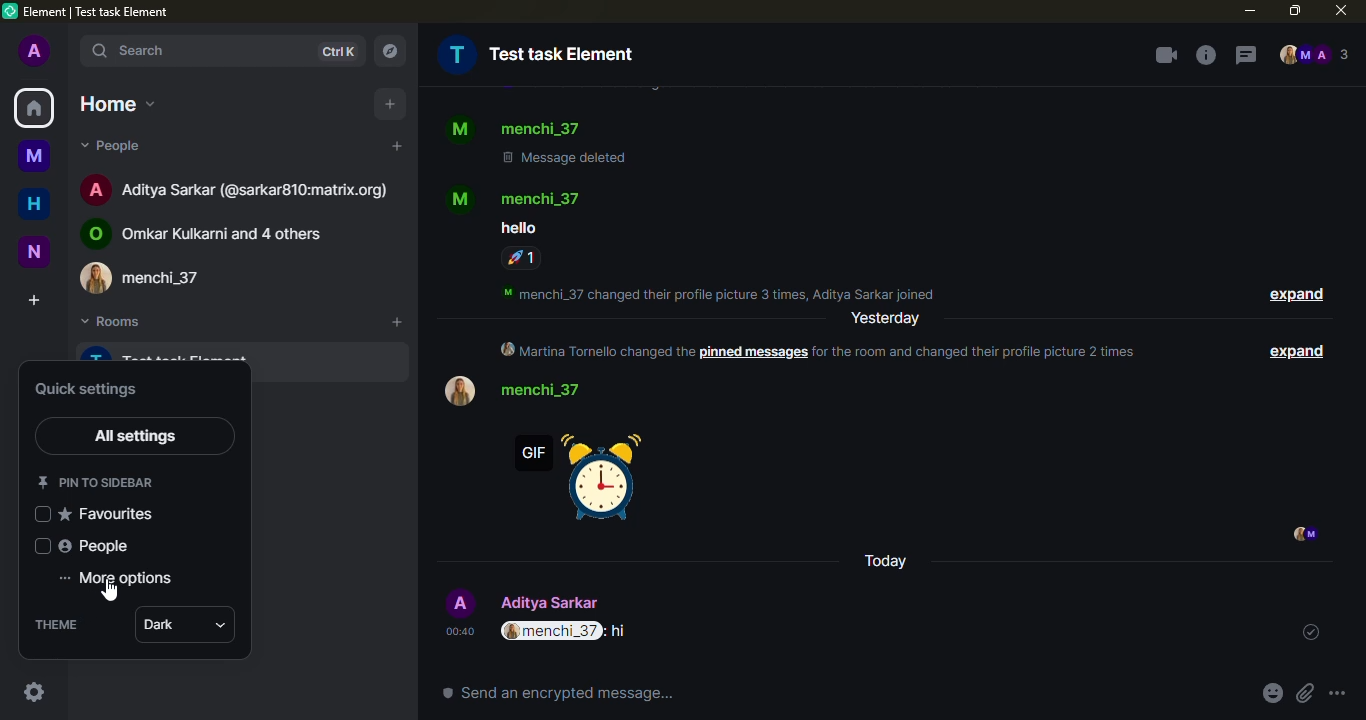  I want to click on select, so click(44, 547).